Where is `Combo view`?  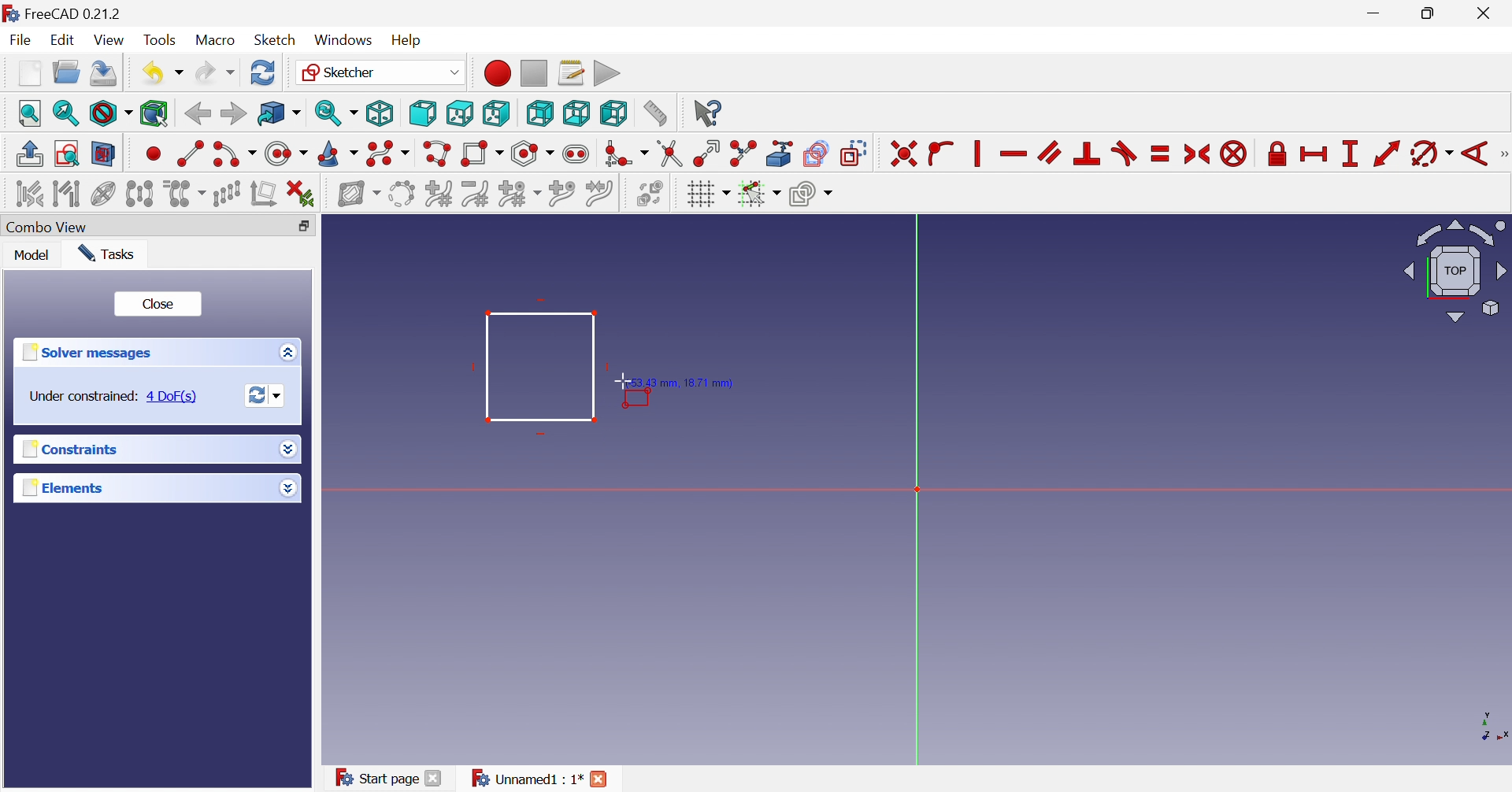
Combo view is located at coordinates (53, 228).